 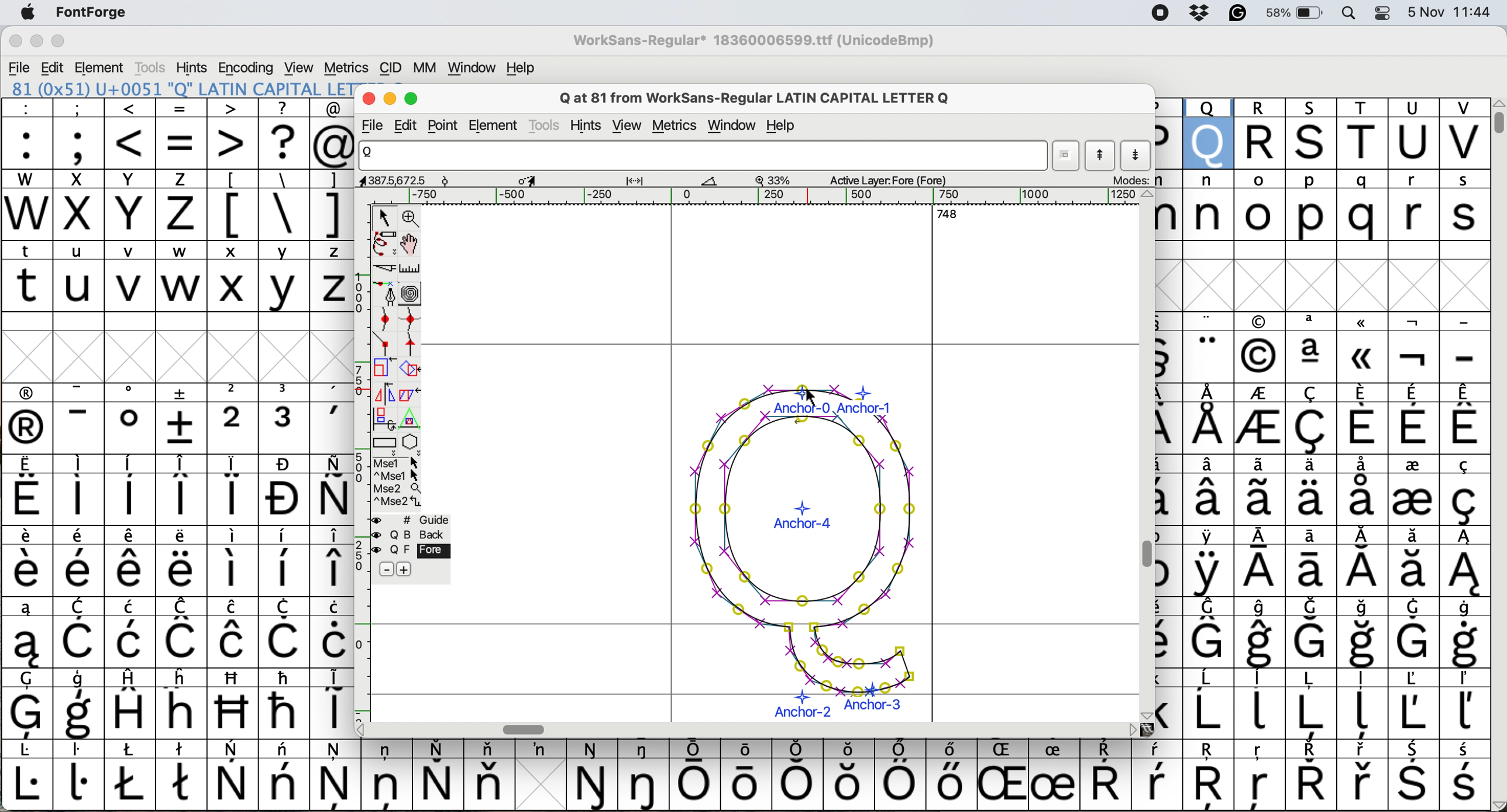 I want to click on add, so click(x=416, y=570).